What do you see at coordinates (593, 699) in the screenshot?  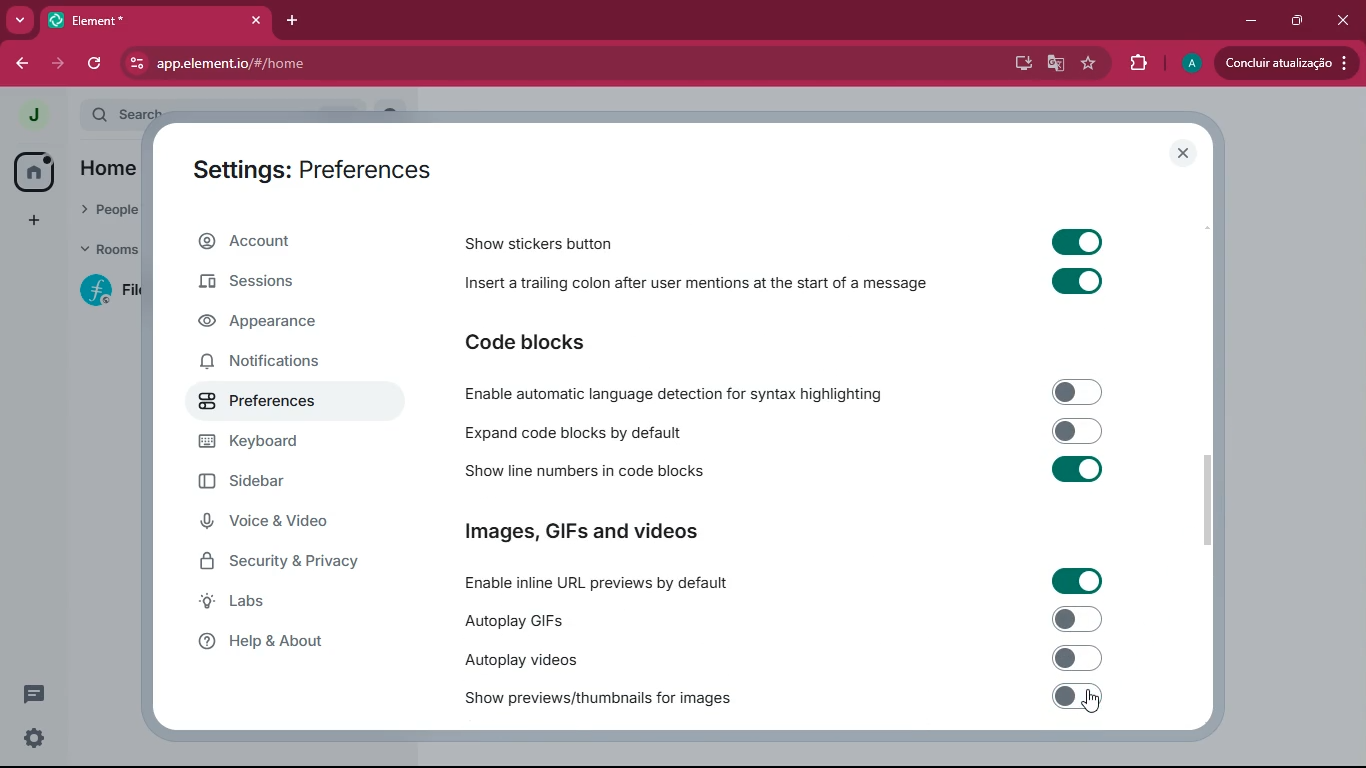 I see `Show previews/thumbnails for images` at bounding box center [593, 699].